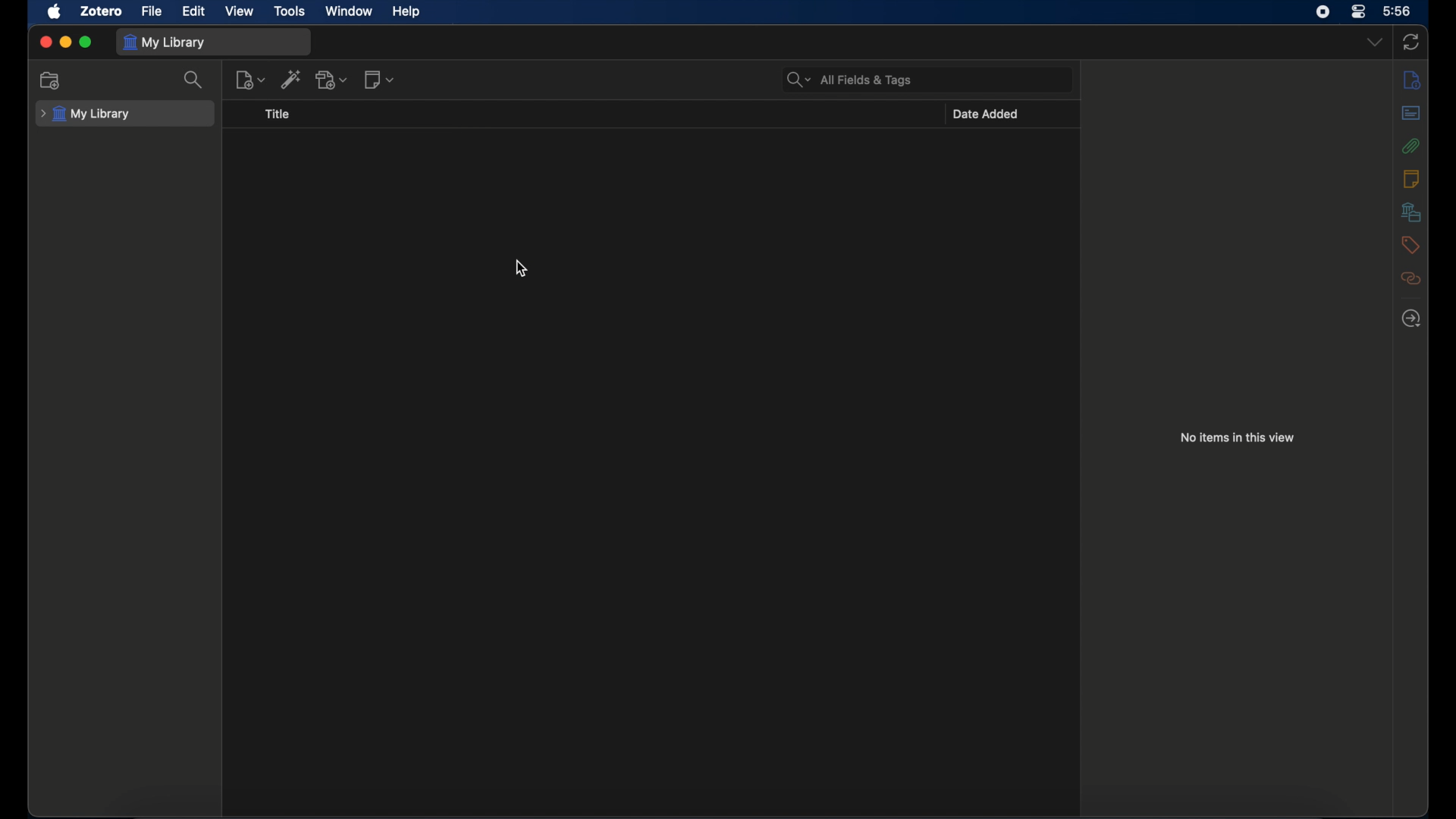 Image resolution: width=1456 pixels, height=819 pixels. Describe the element at coordinates (1375, 42) in the screenshot. I see `dropdown` at that location.